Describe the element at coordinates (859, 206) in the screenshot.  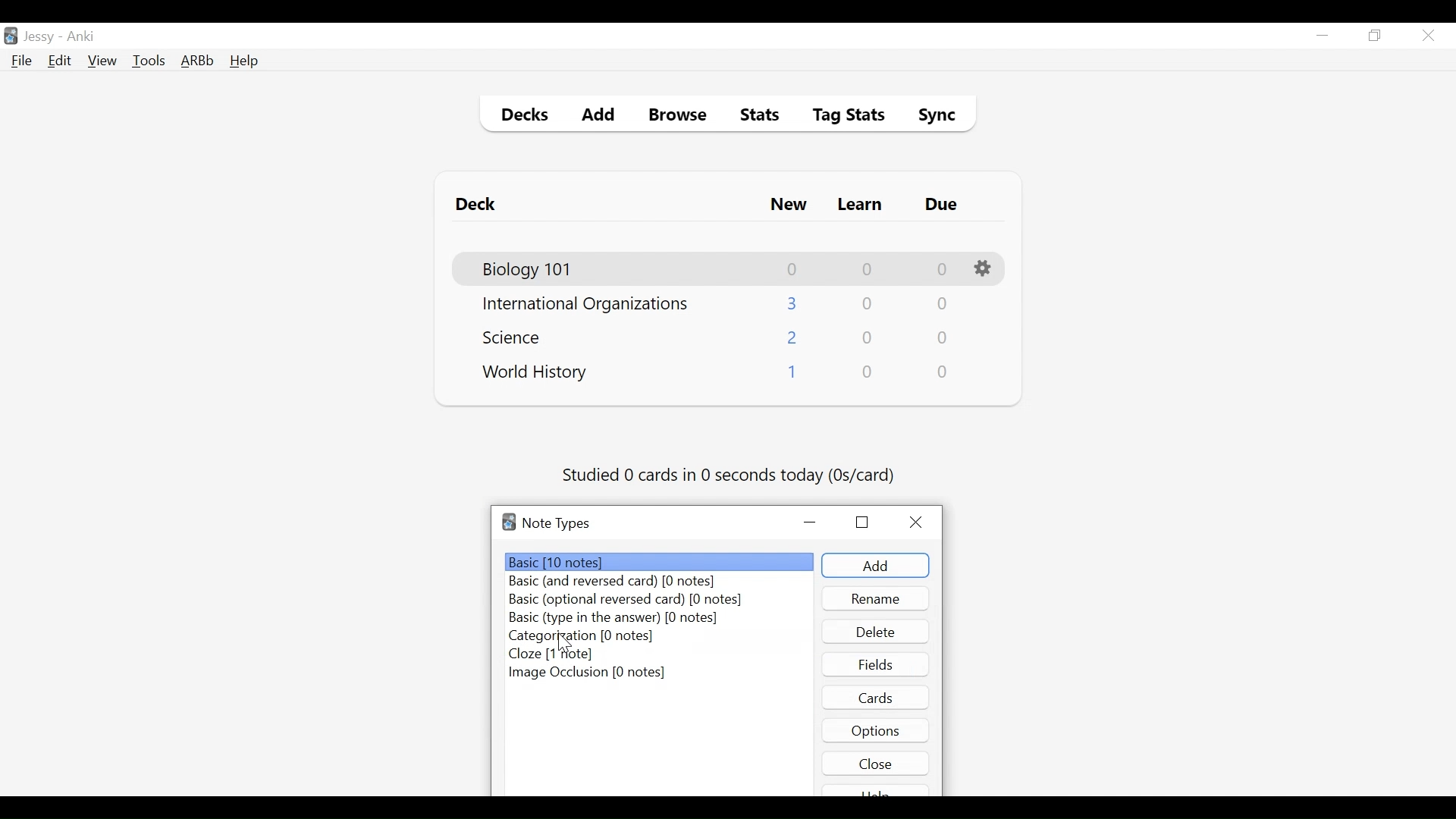
I see `Learn` at that location.